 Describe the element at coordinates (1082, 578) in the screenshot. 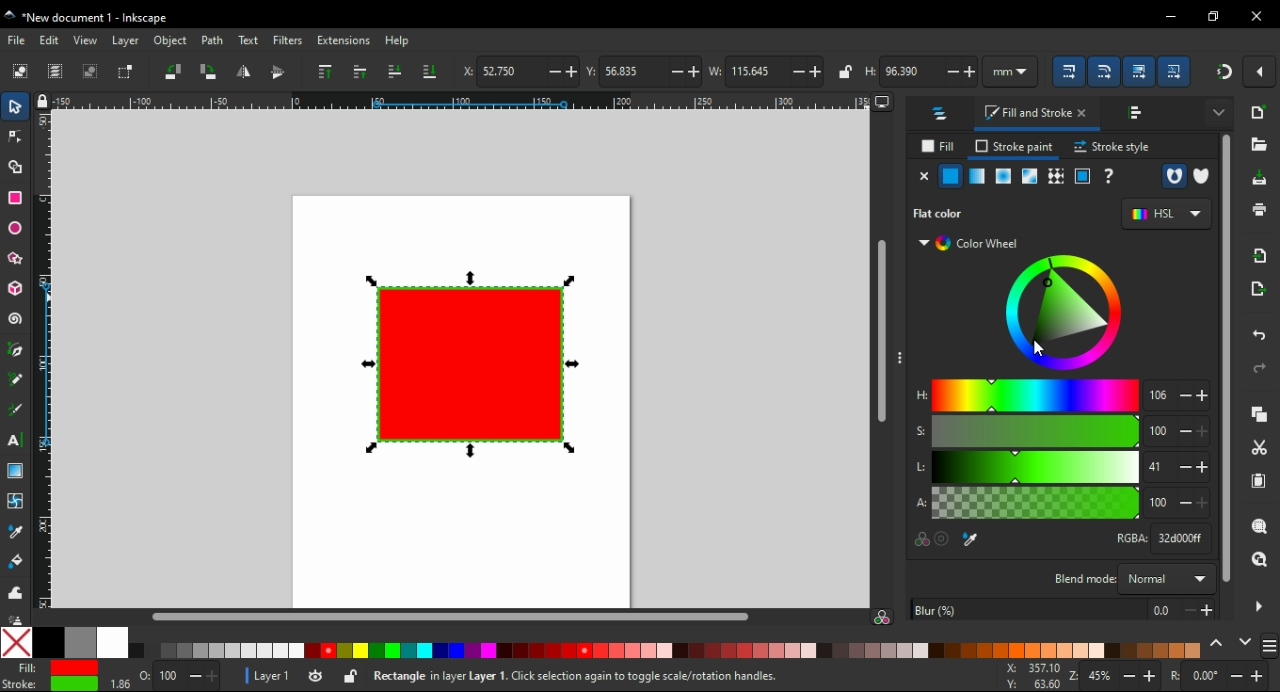

I see `blend mode` at that location.